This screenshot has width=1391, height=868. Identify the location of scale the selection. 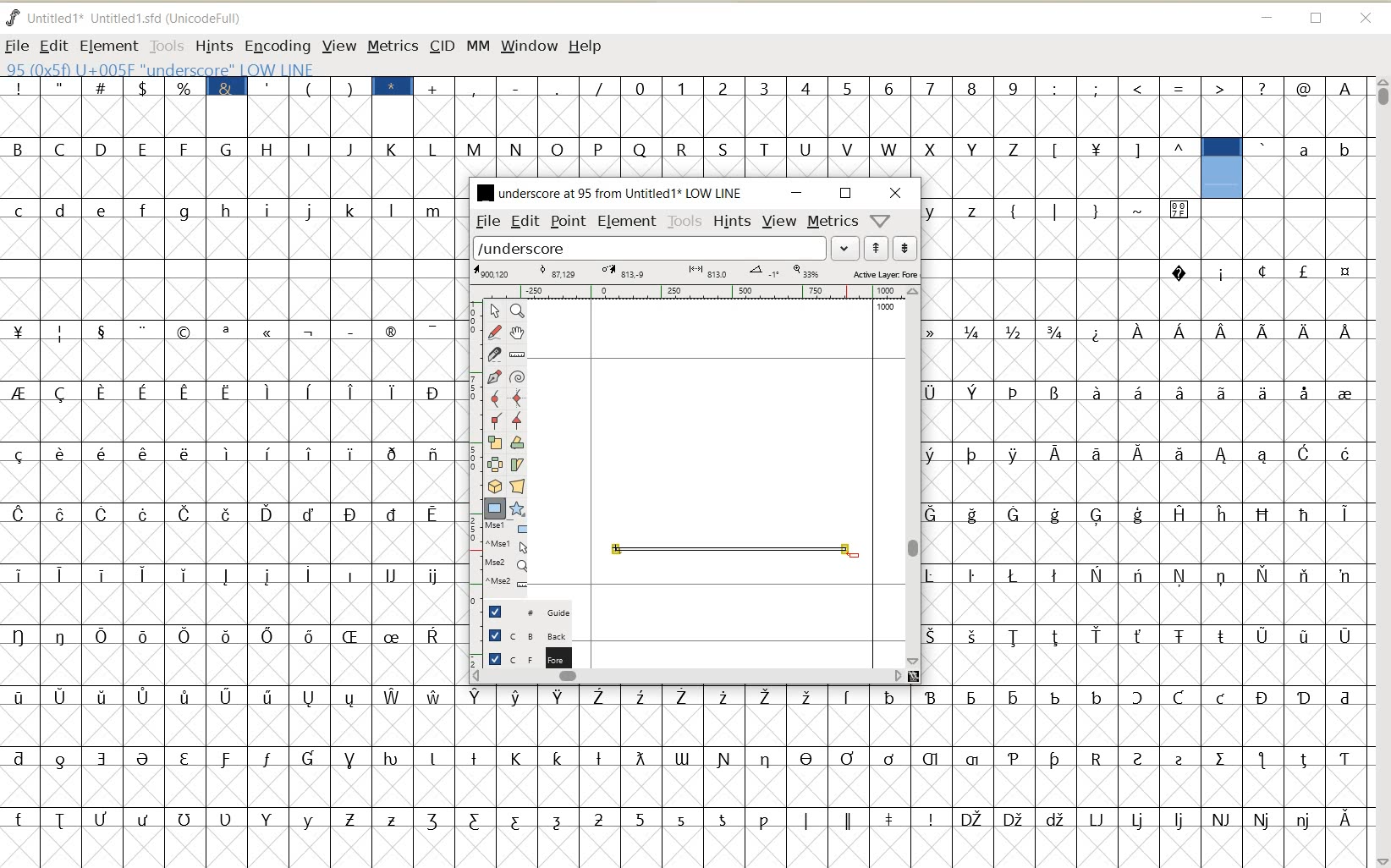
(493, 442).